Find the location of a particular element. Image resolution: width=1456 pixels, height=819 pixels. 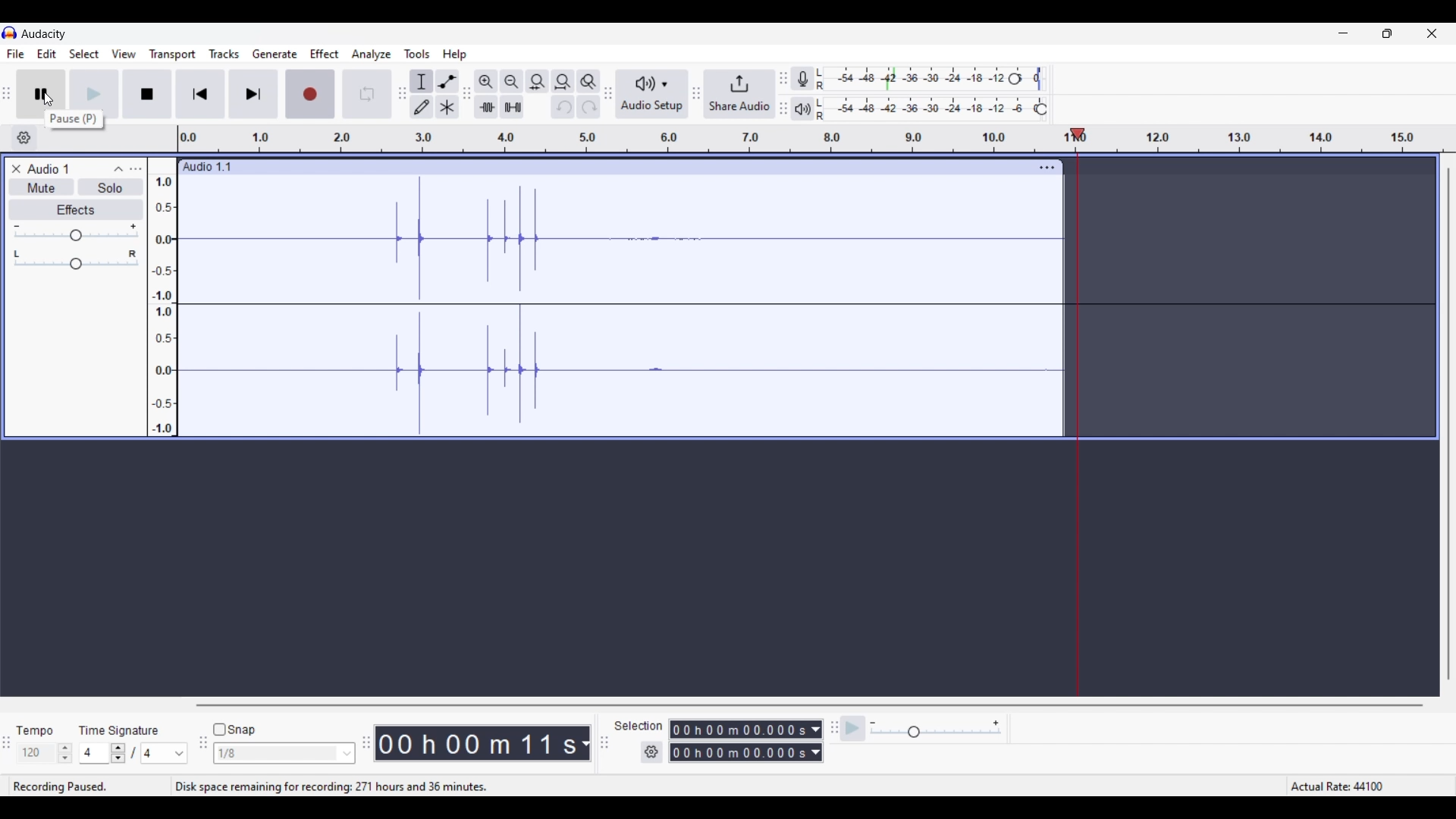

Change Pan is located at coordinates (77, 265).